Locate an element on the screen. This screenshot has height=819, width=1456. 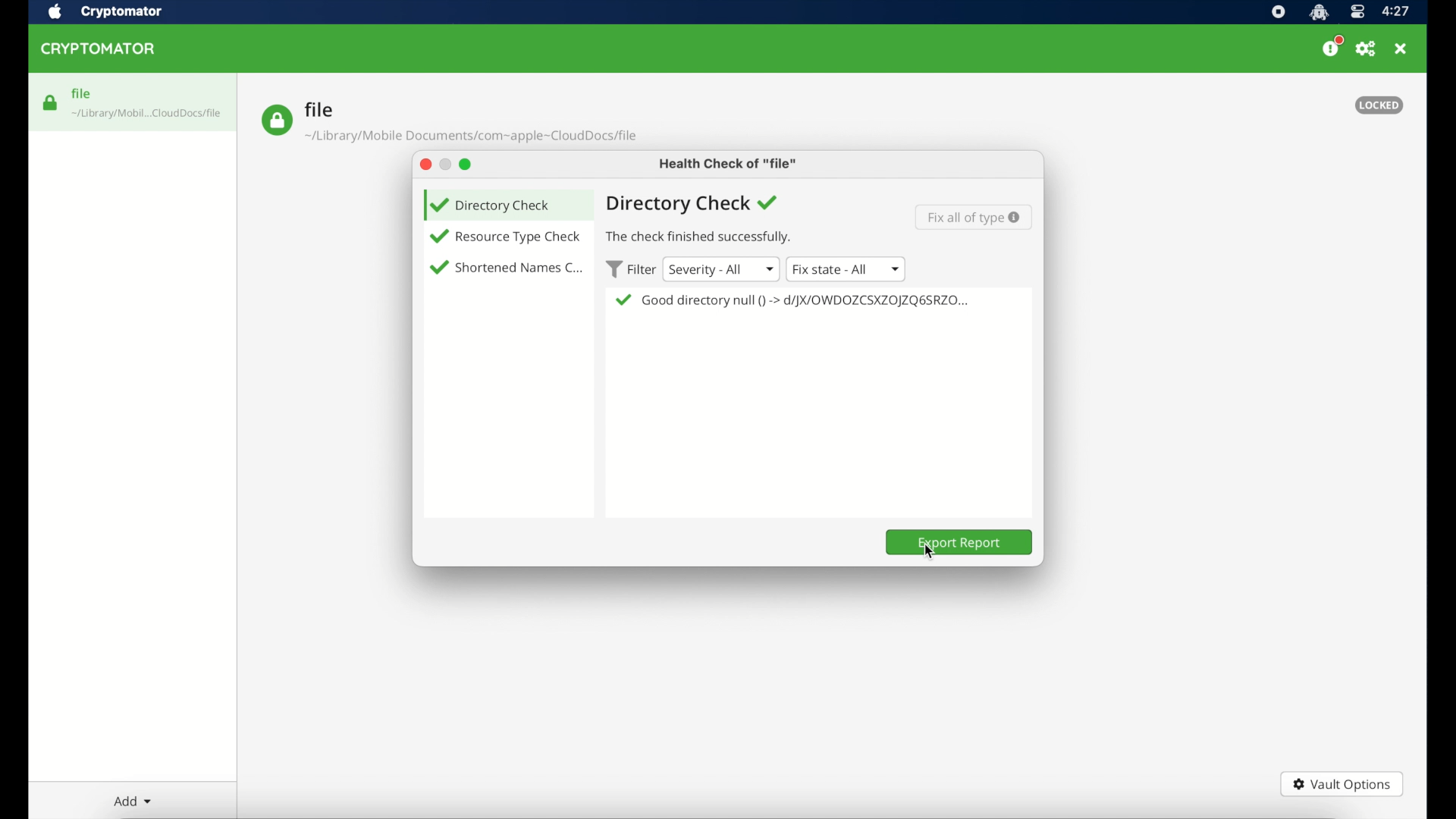
time is located at coordinates (1397, 11).